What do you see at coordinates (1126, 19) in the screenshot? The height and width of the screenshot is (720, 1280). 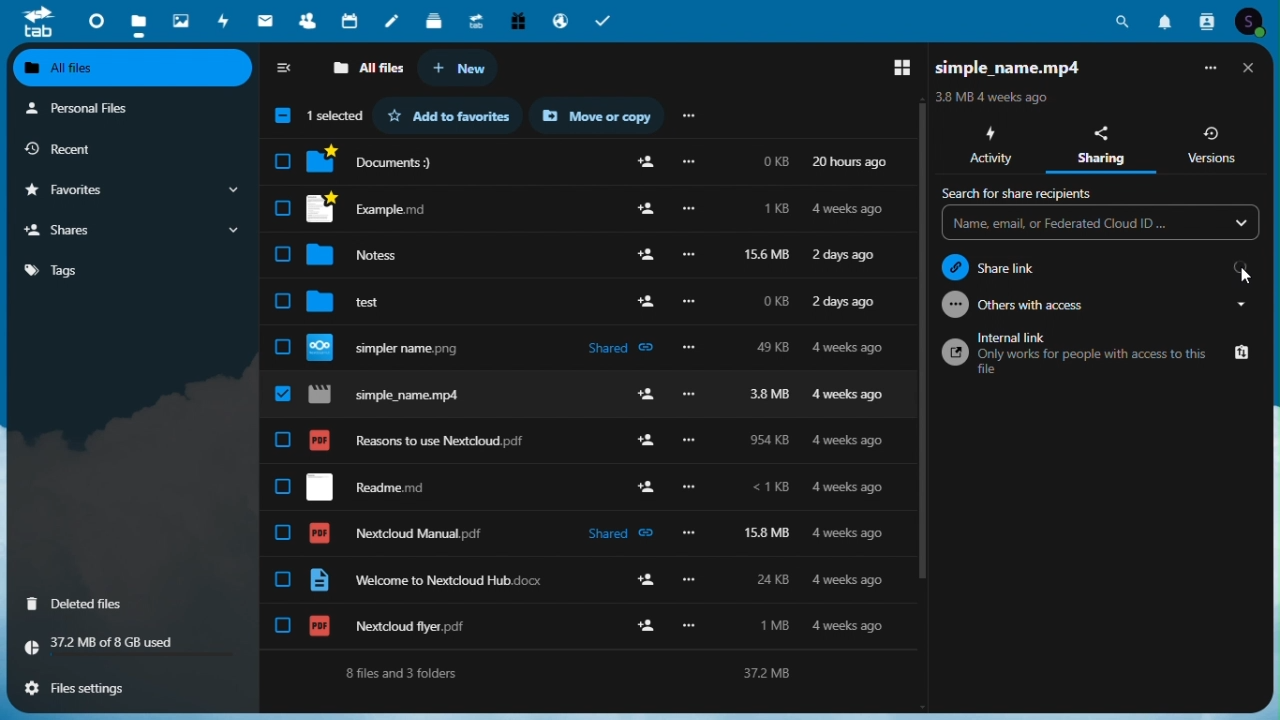 I see `Search` at bounding box center [1126, 19].